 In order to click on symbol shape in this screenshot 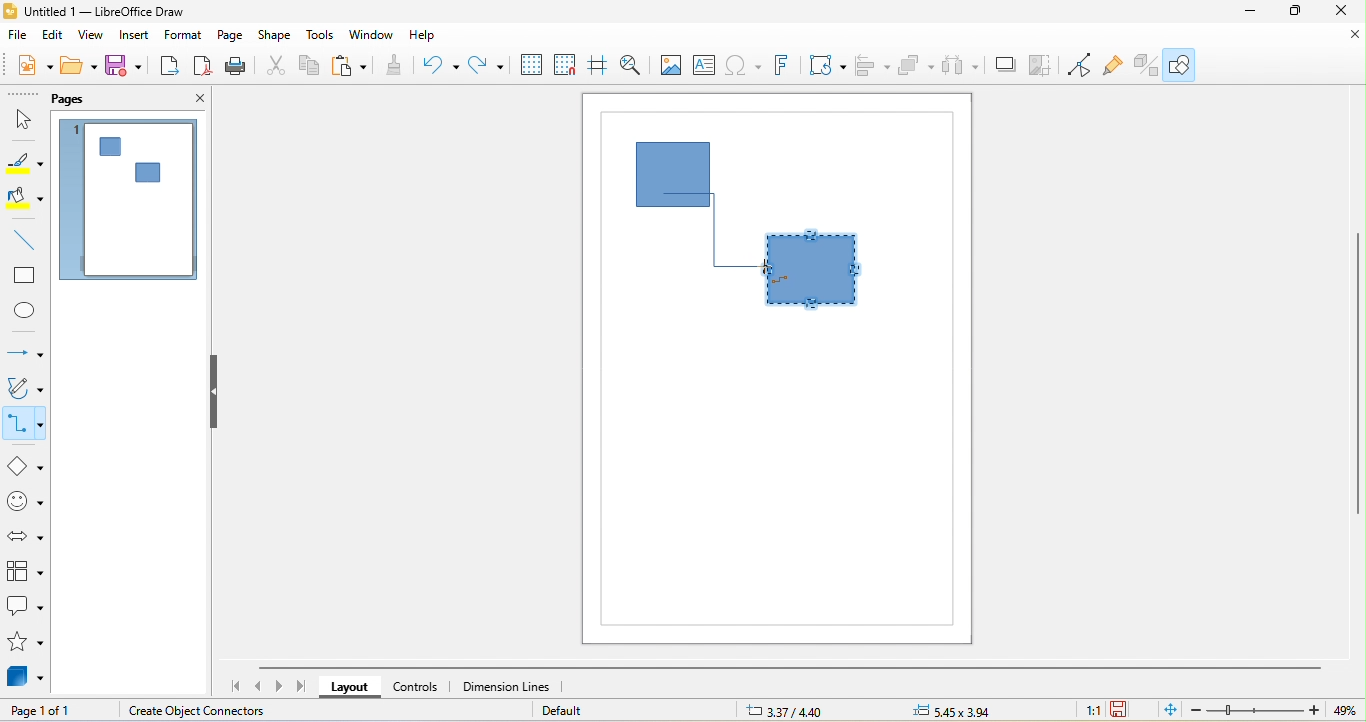, I will do `click(28, 502)`.